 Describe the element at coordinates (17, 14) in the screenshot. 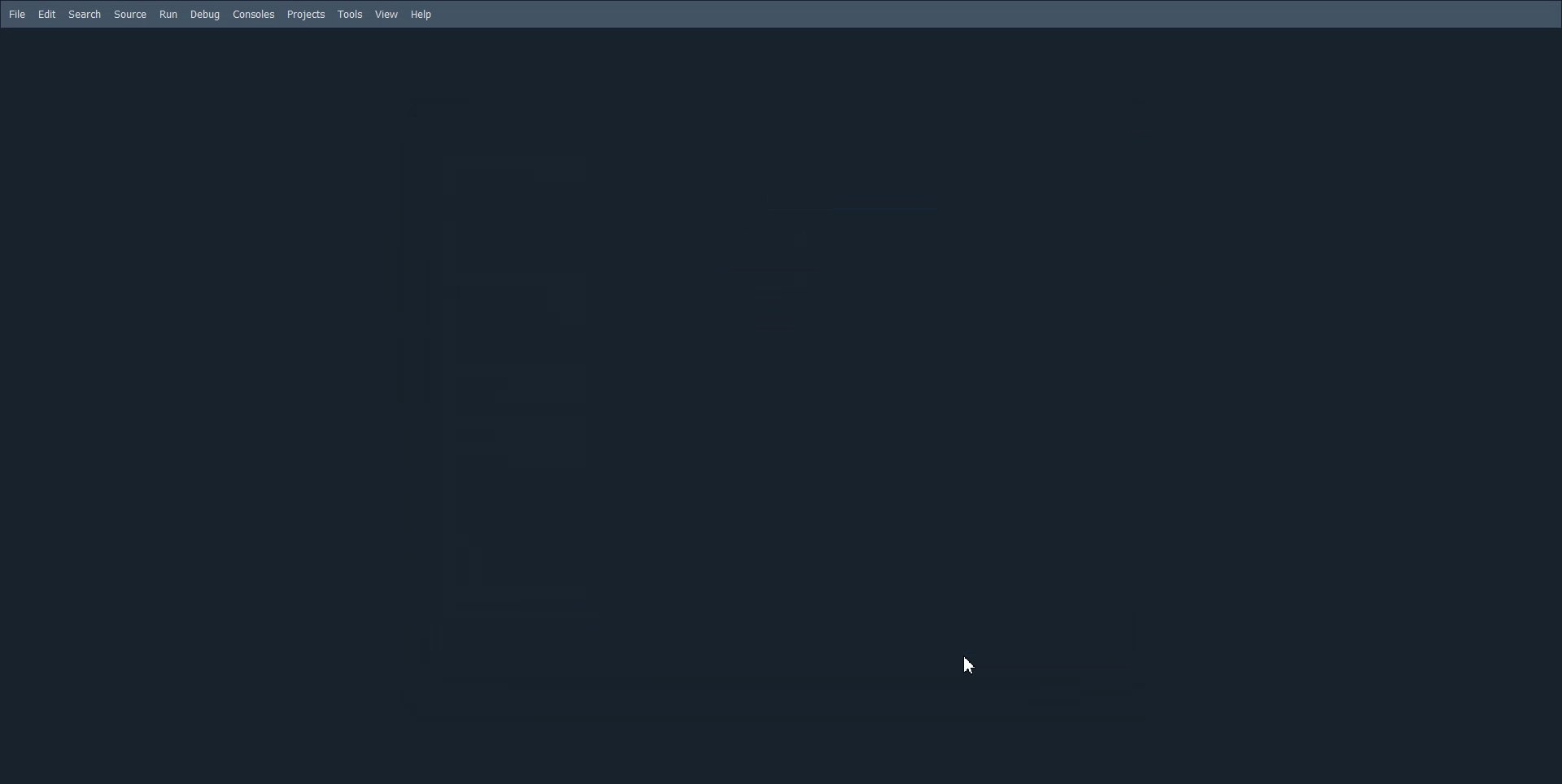

I see `File` at that location.